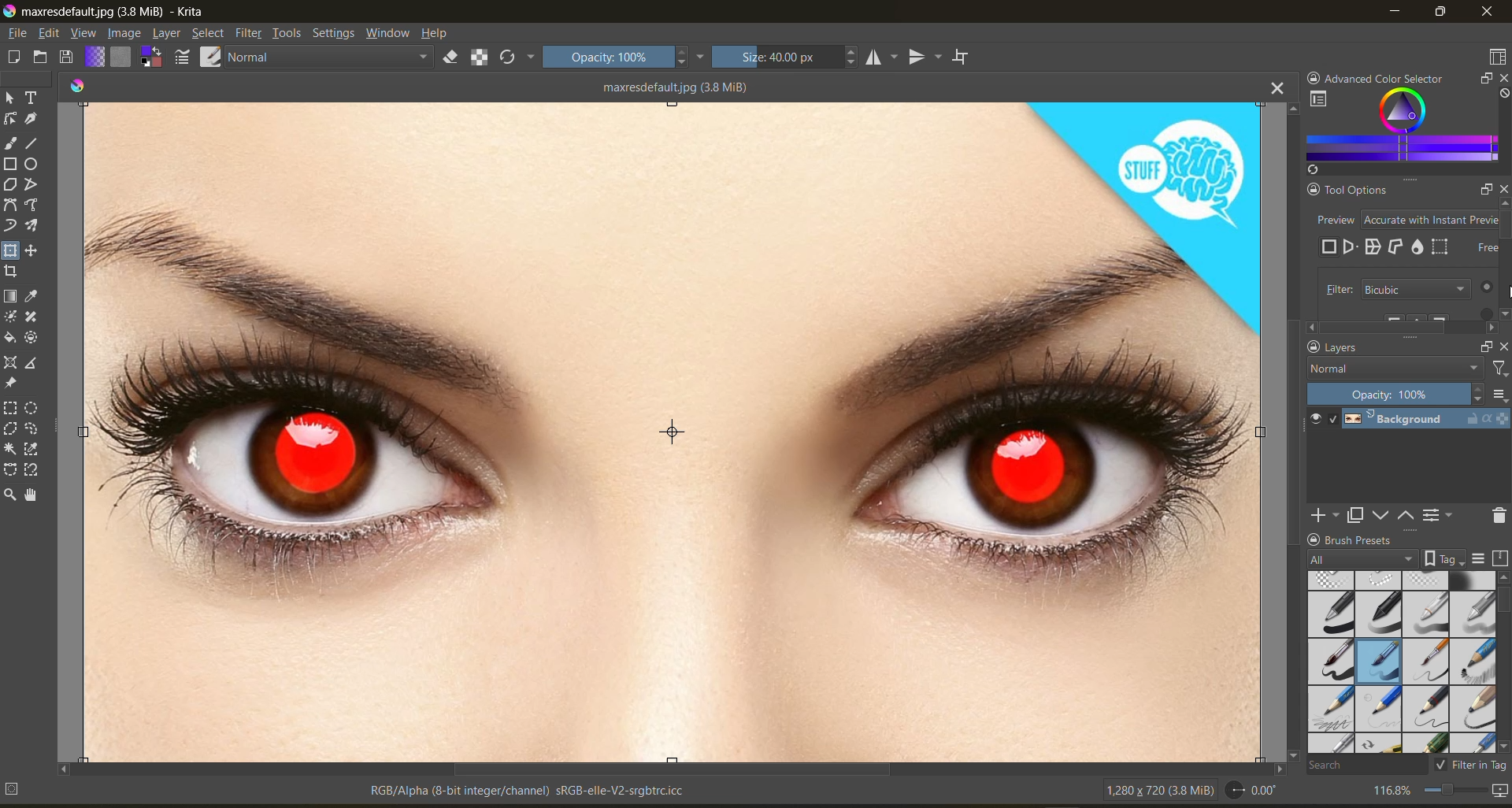  What do you see at coordinates (12, 226) in the screenshot?
I see `tool` at bounding box center [12, 226].